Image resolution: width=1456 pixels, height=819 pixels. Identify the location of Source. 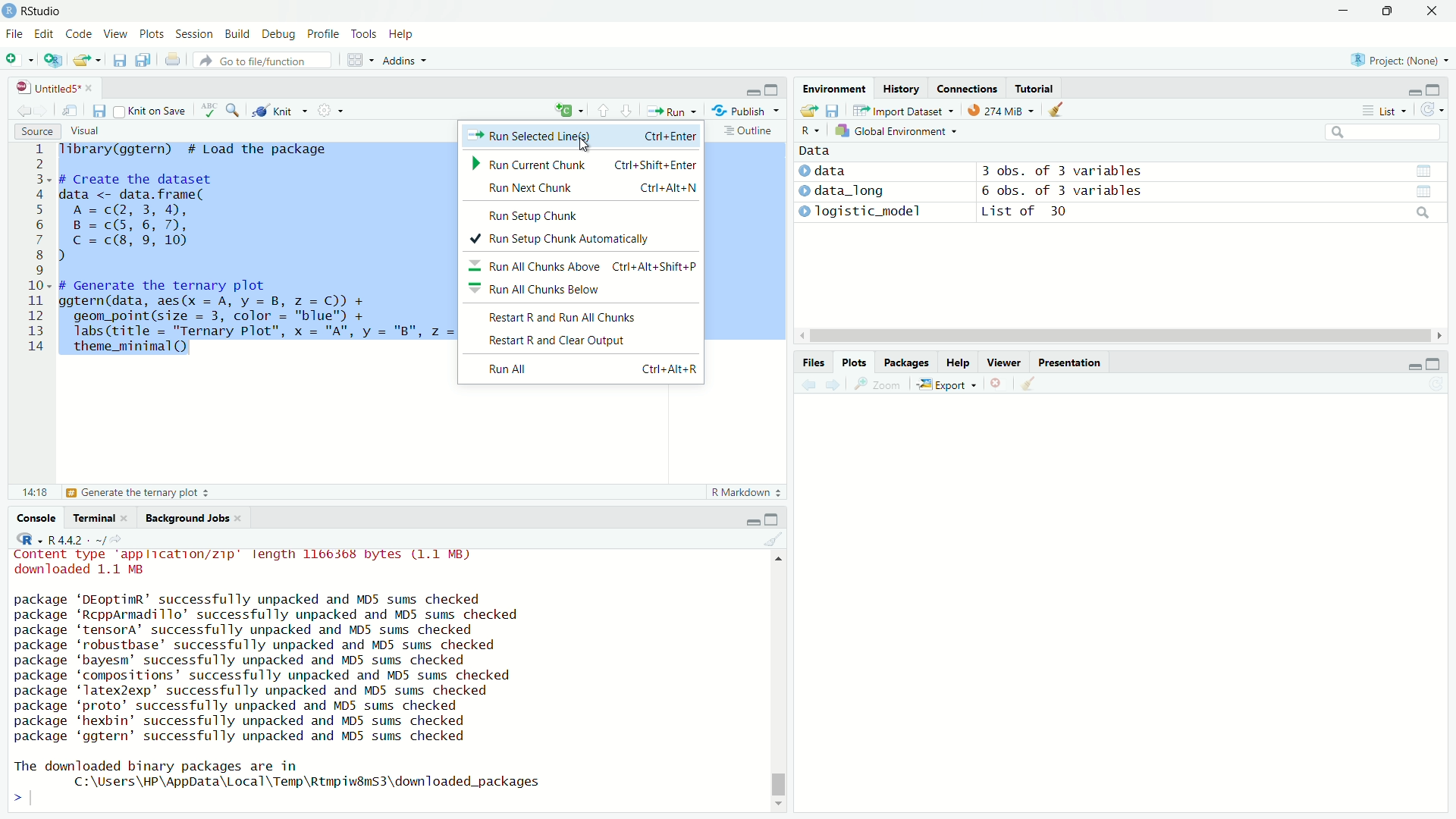
(35, 131).